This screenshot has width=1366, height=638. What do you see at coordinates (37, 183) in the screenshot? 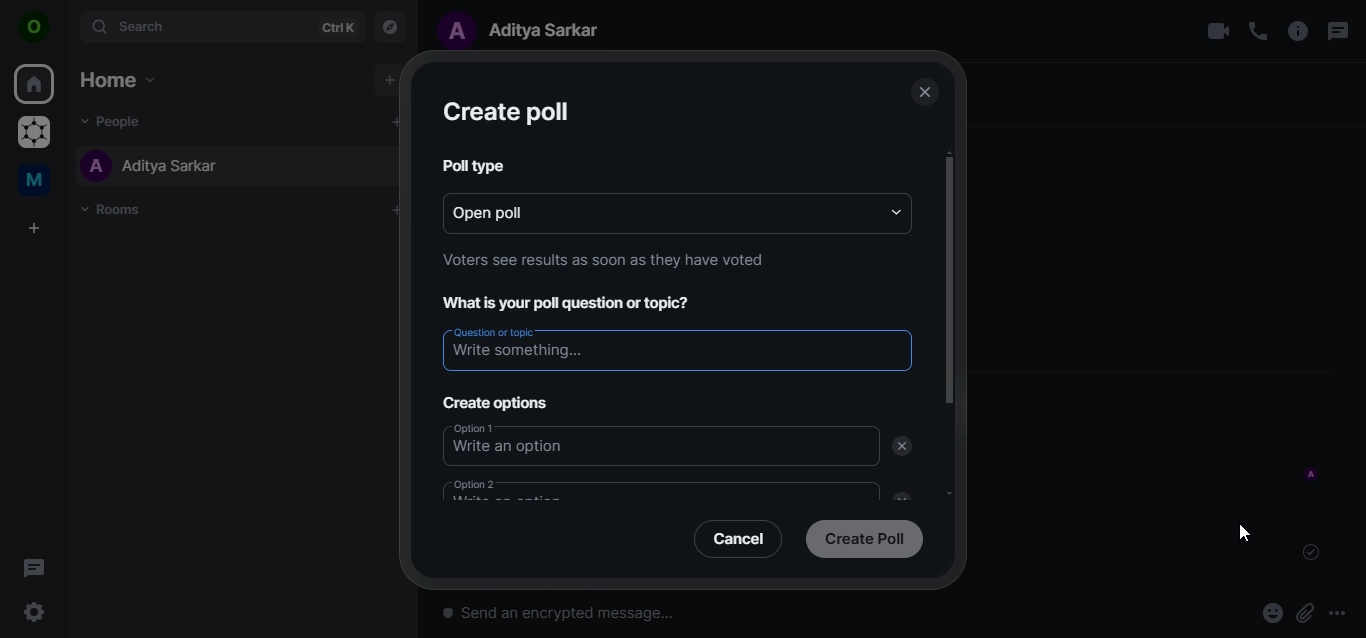
I see `me` at bounding box center [37, 183].